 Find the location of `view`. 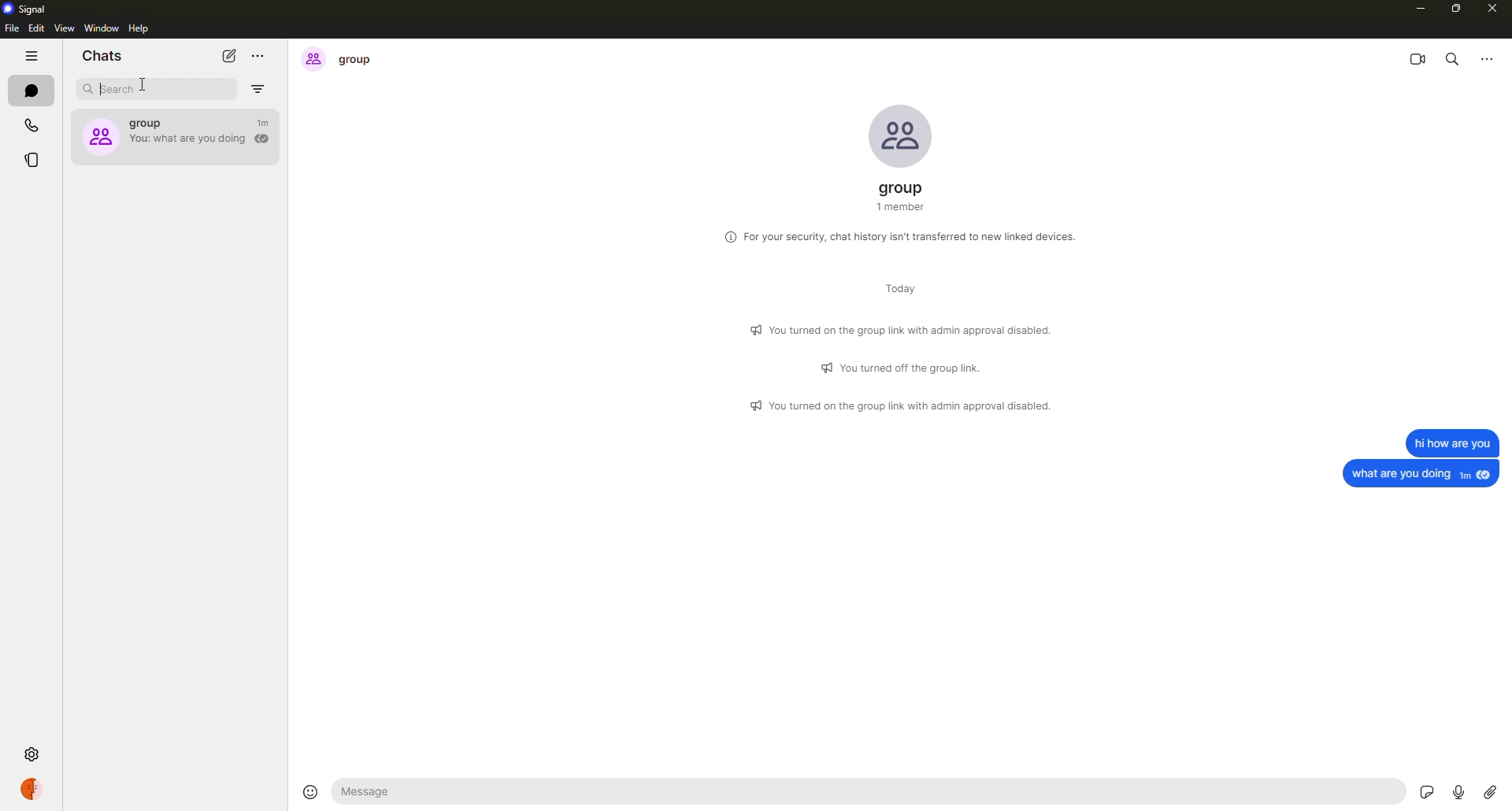

view is located at coordinates (65, 30).